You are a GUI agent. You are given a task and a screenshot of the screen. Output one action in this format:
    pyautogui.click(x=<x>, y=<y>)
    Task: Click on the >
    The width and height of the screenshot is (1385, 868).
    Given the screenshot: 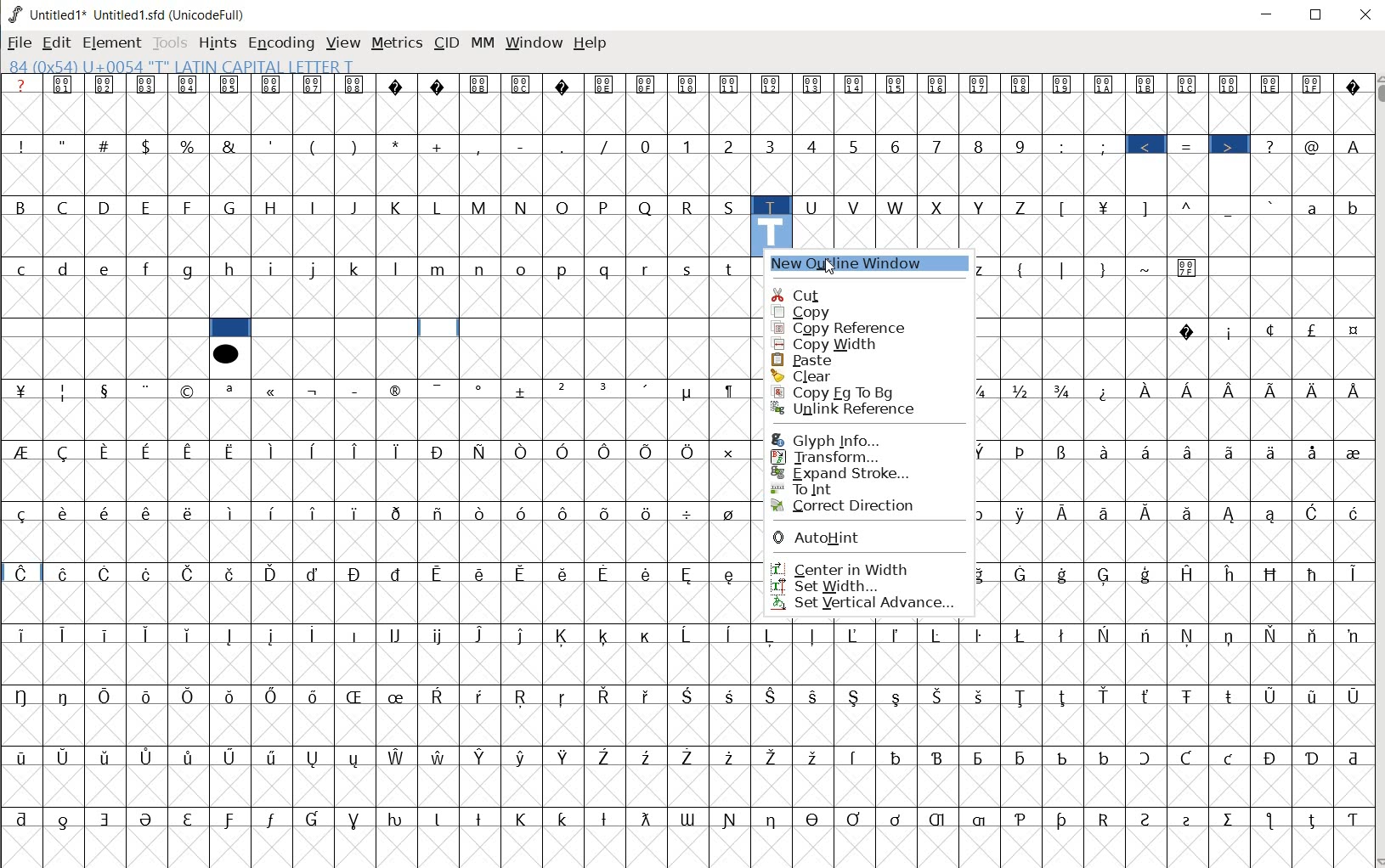 What is the action you would take?
    pyautogui.click(x=1230, y=146)
    